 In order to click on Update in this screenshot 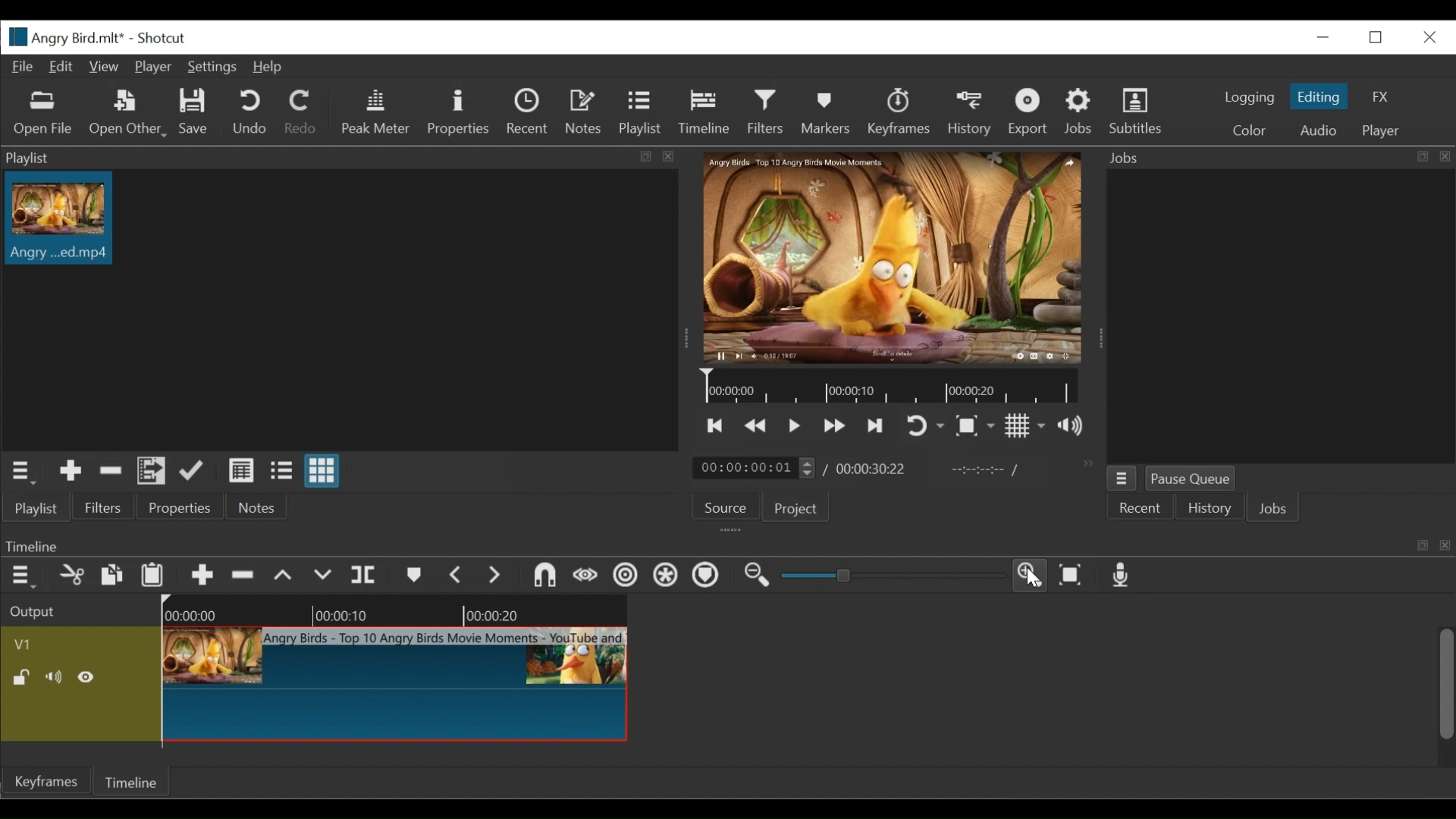, I will do `click(194, 472)`.